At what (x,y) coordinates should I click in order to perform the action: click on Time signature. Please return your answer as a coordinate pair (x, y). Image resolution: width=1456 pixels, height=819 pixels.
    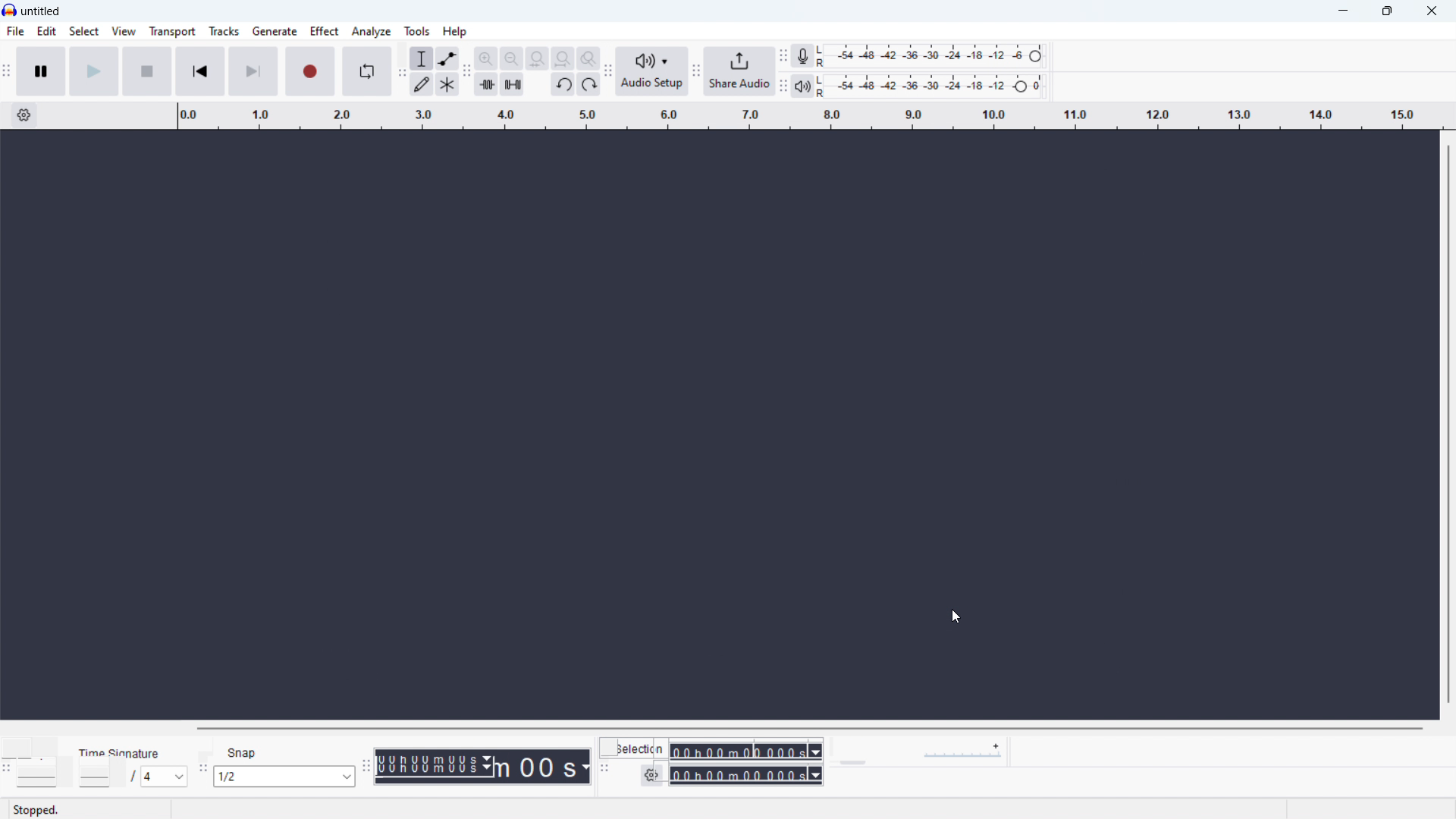
    Looking at the image, I should click on (123, 752).